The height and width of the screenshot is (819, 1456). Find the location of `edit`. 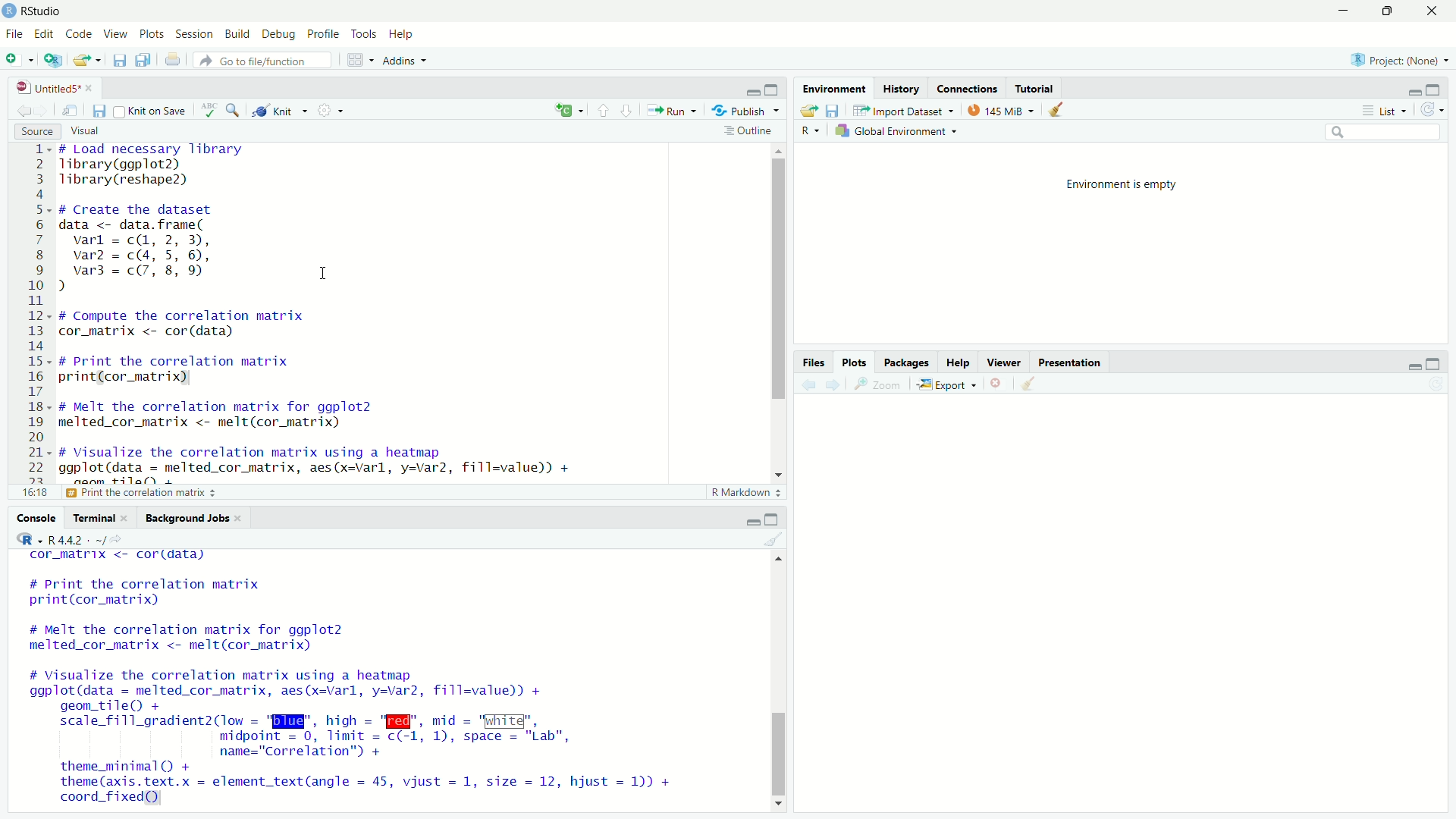

edit is located at coordinates (43, 33).